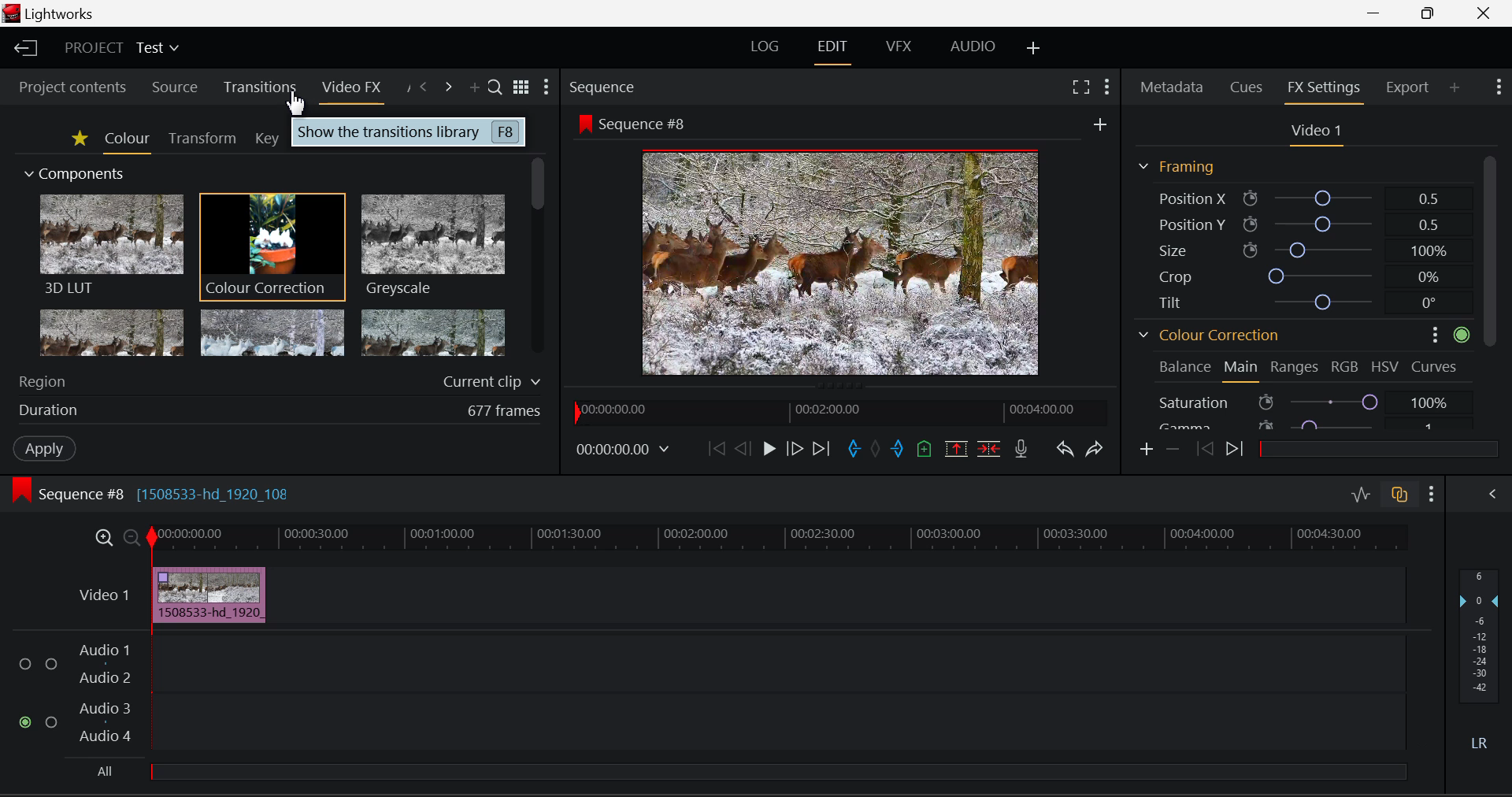 This screenshot has width=1512, height=797. What do you see at coordinates (967, 48) in the screenshot?
I see `AUDIO Layout` at bounding box center [967, 48].